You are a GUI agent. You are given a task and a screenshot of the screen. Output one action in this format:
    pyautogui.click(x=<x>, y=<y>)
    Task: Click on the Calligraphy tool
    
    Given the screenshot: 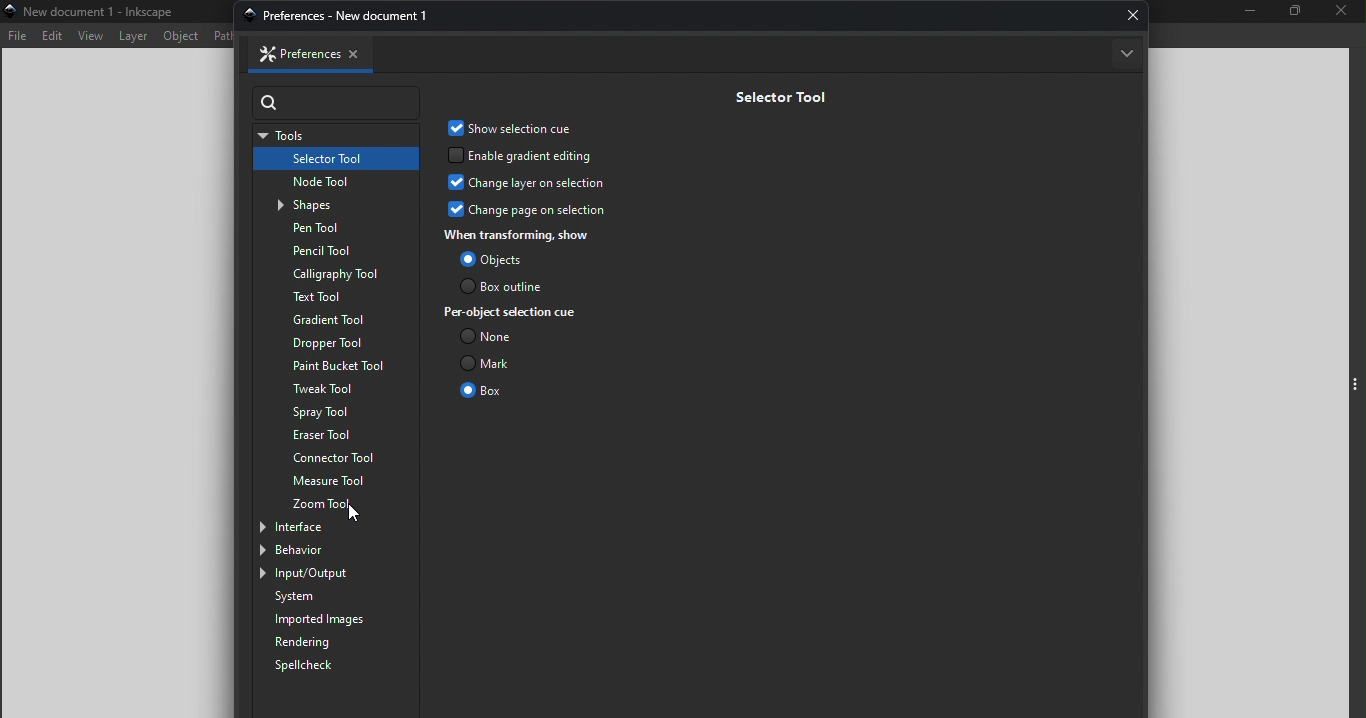 What is the action you would take?
    pyautogui.click(x=330, y=274)
    